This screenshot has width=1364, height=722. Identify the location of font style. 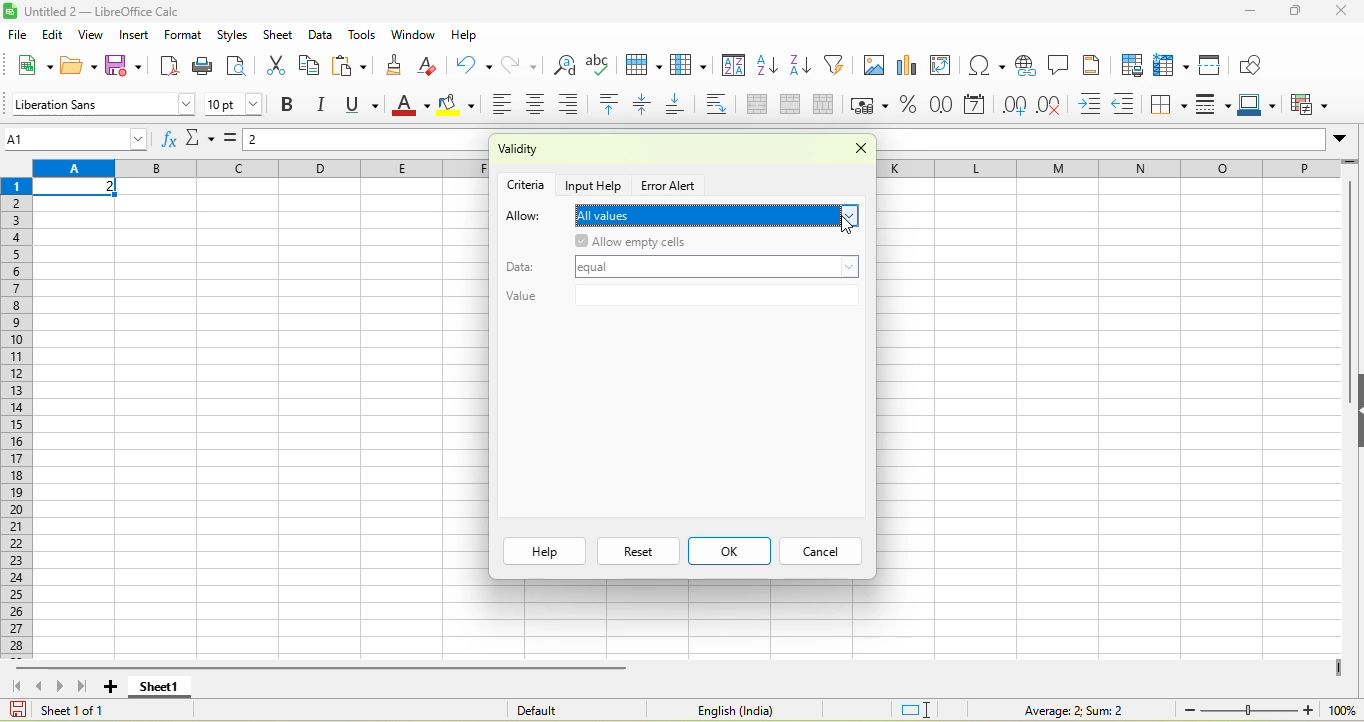
(101, 103).